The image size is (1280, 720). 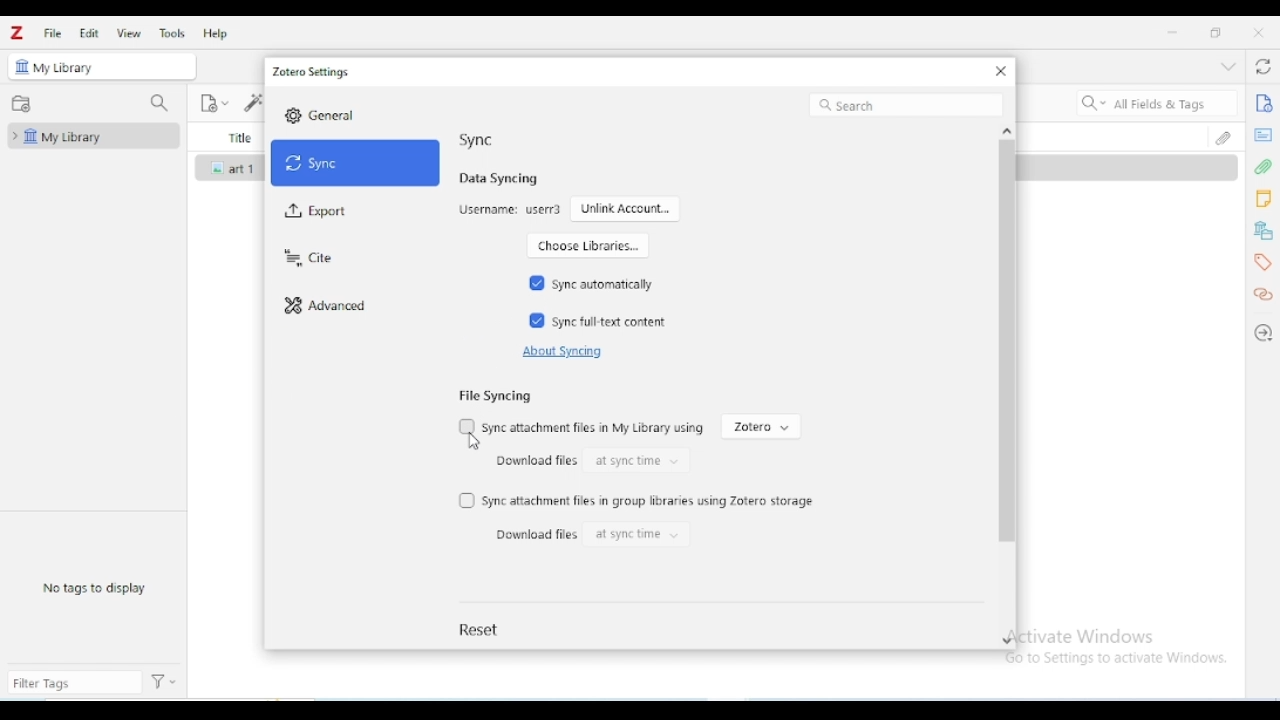 I want to click on related, so click(x=1263, y=295).